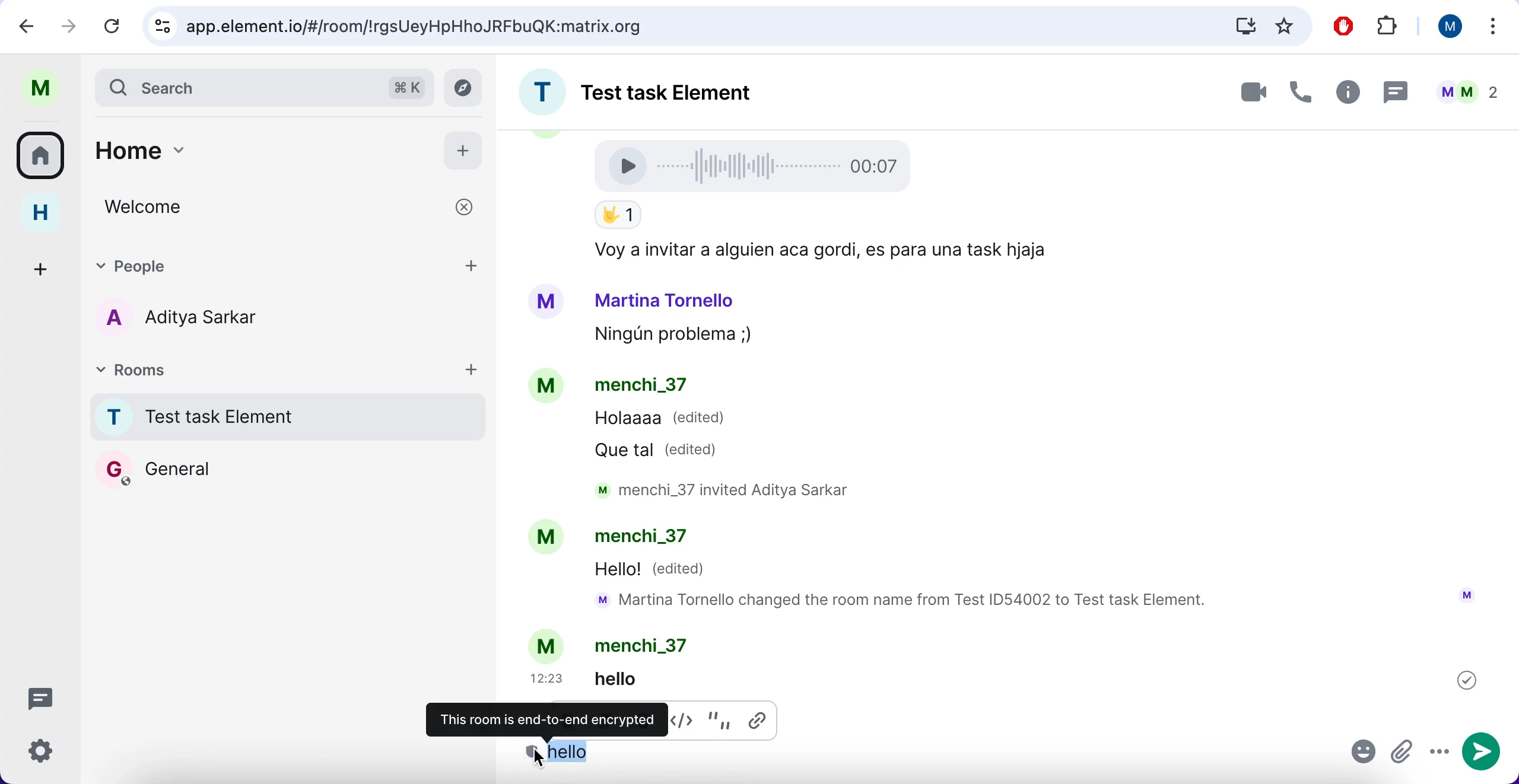 This screenshot has width=1519, height=784. What do you see at coordinates (195, 368) in the screenshot?
I see `rooms` at bounding box center [195, 368].